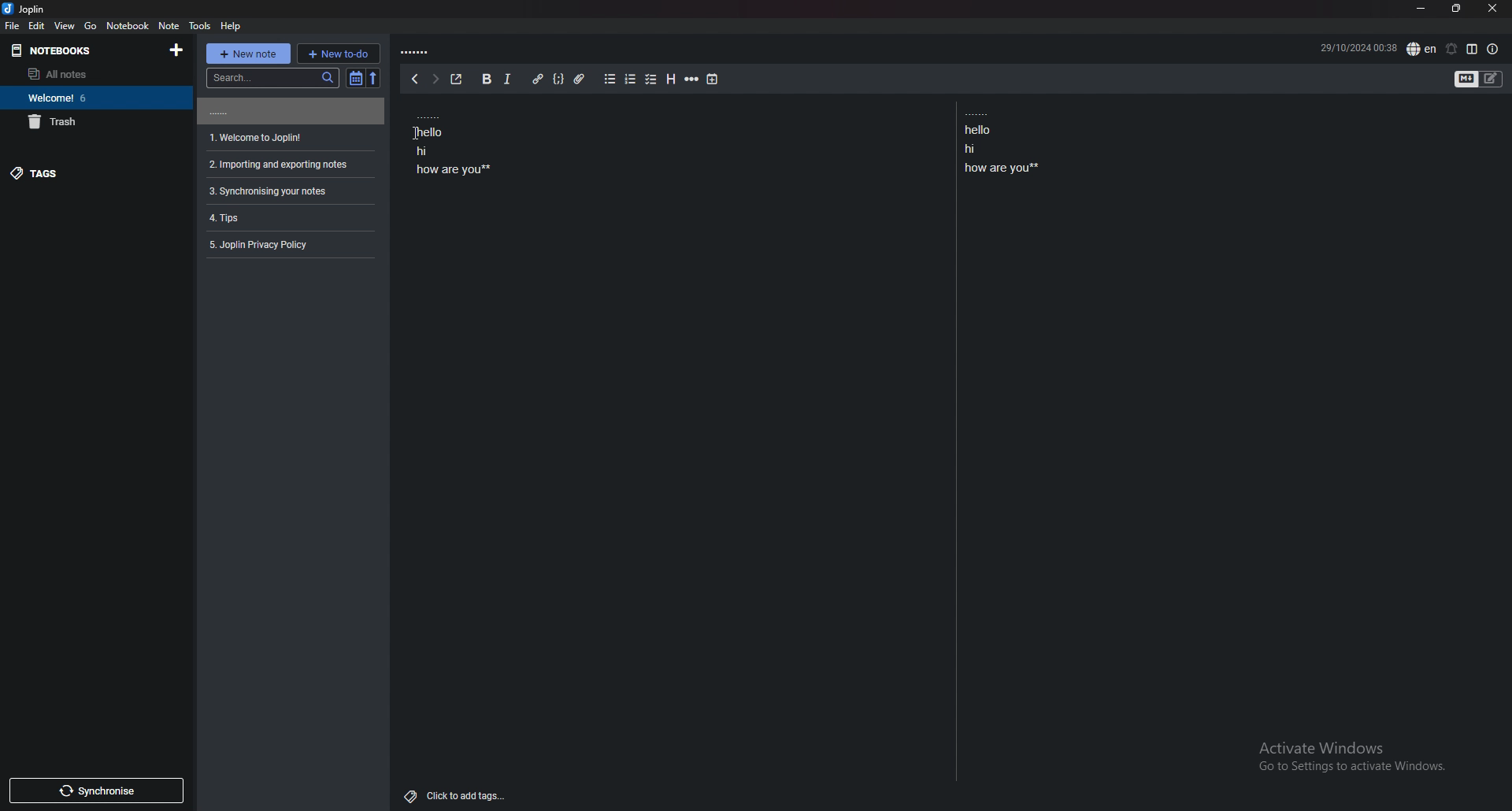 The width and height of the screenshot is (1512, 811). Describe the element at coordinates (631, 80) in the screenshot. I see `numbered list` at that location.